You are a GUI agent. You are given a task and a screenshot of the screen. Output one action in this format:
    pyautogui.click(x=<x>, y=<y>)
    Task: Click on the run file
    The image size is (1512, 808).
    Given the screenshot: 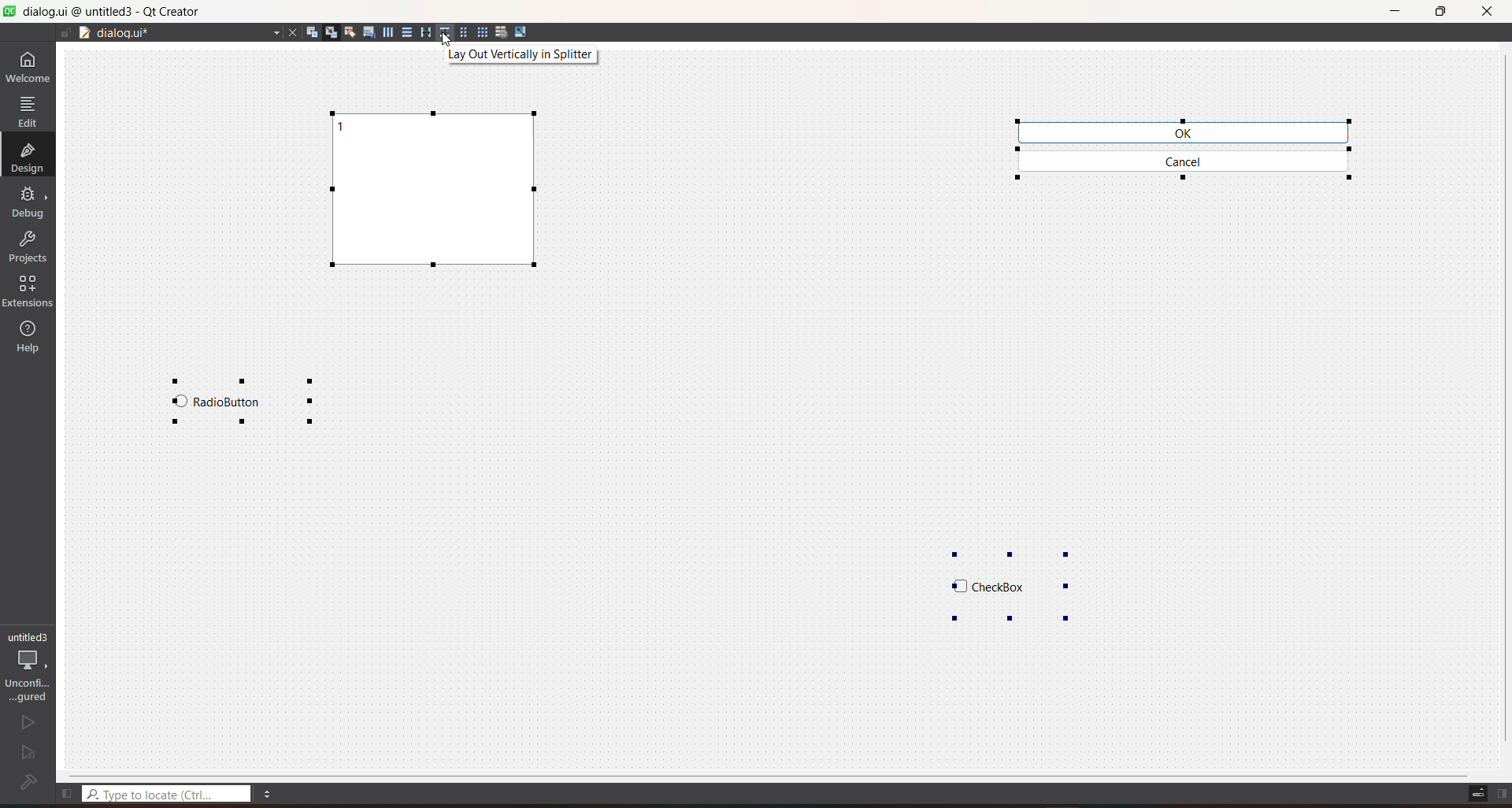 What is the action you would take?
    pyautogui.click(x=26, y=721)
    